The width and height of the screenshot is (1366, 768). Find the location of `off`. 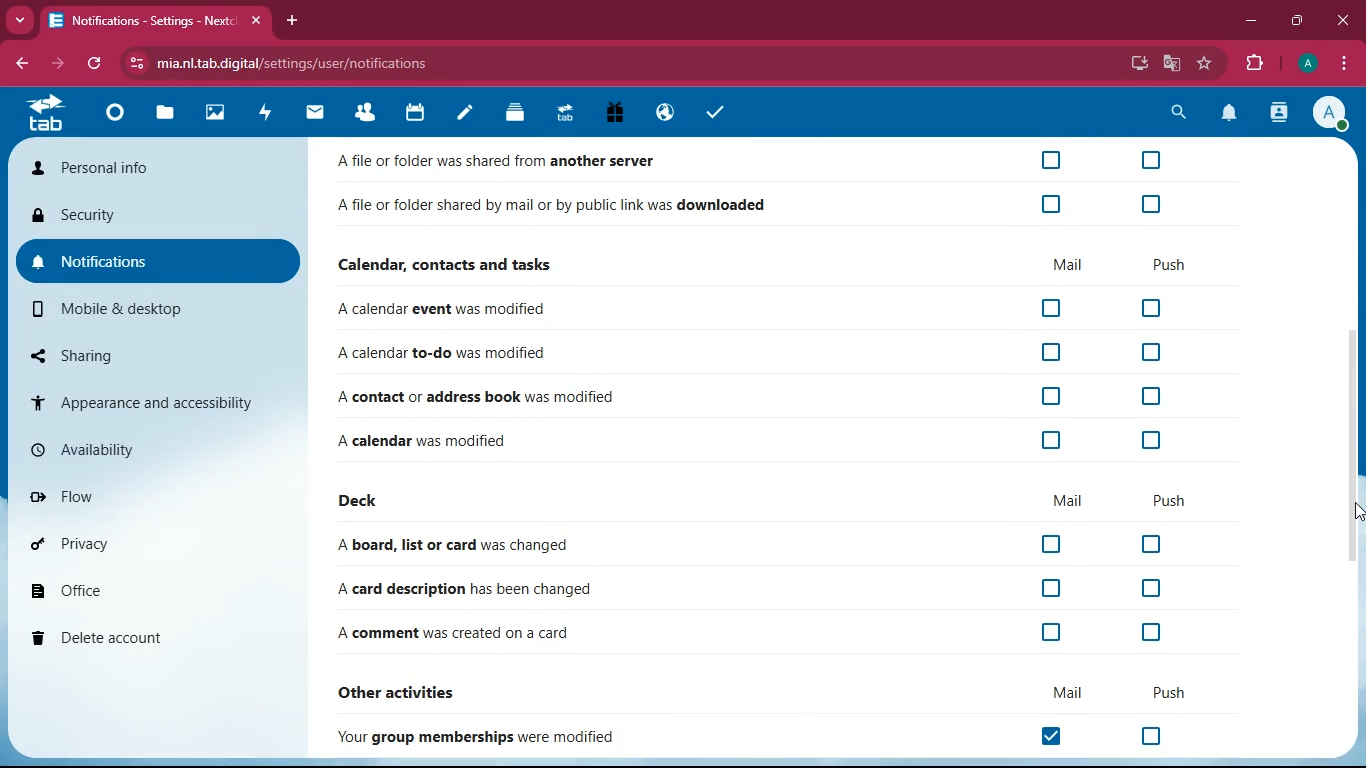

off is located at coordinates (1054, 205).